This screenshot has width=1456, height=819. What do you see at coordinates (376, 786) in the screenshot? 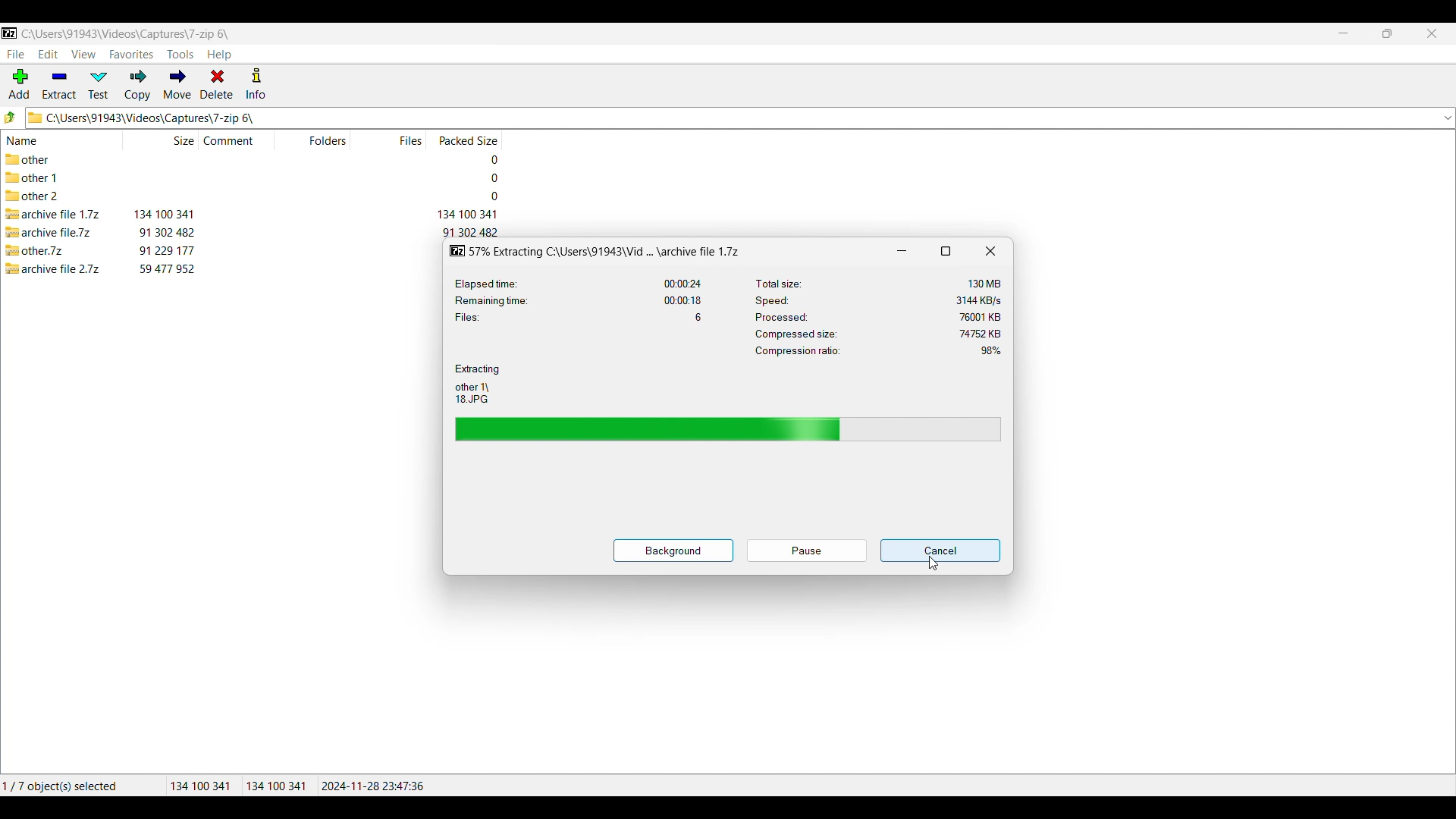
I see `2024-11-28 23:47:36` at bounding box center [376, 786].